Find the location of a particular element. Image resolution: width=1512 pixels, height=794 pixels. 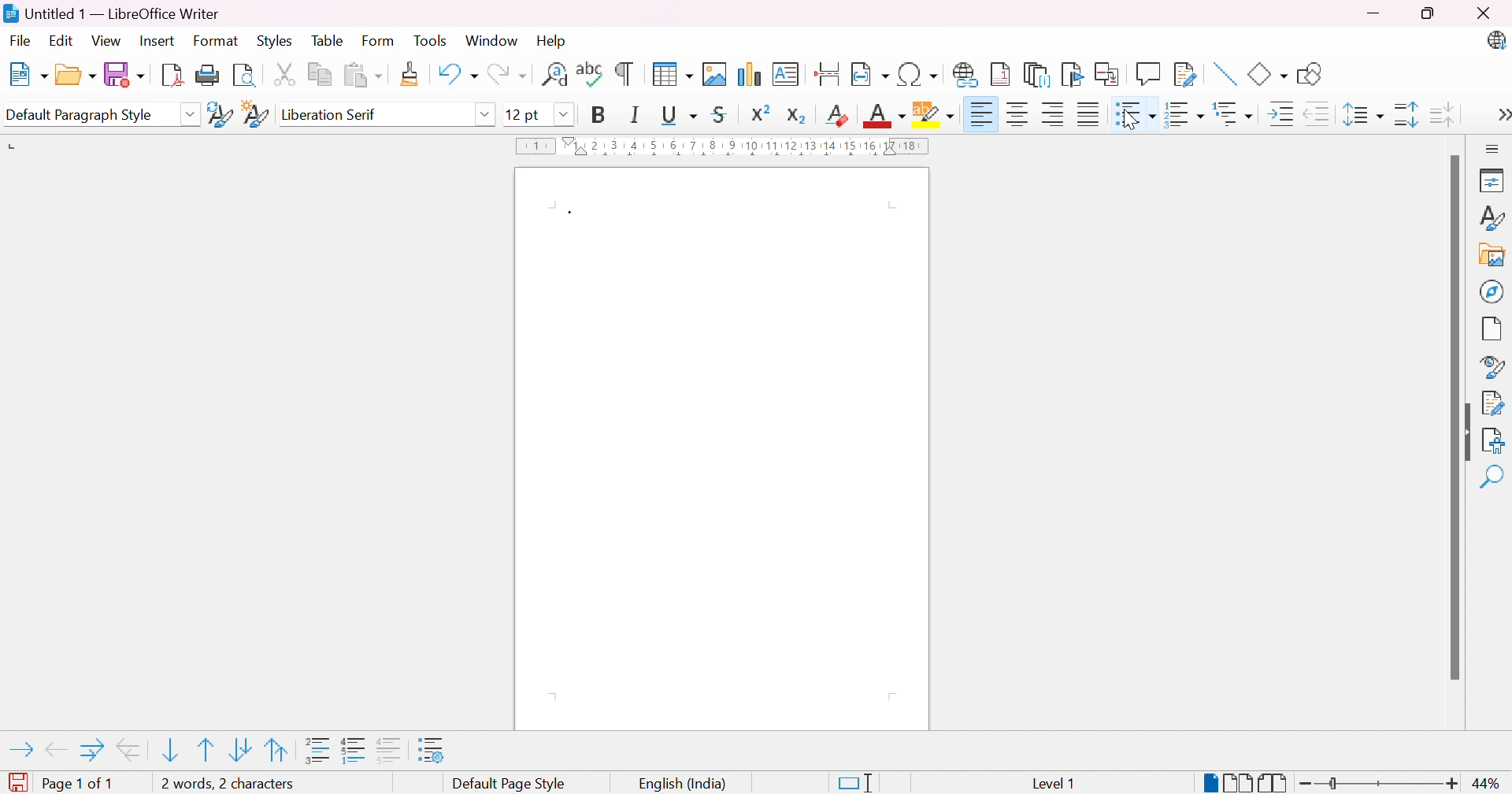

Drop down is located at coordinates (487, 113).